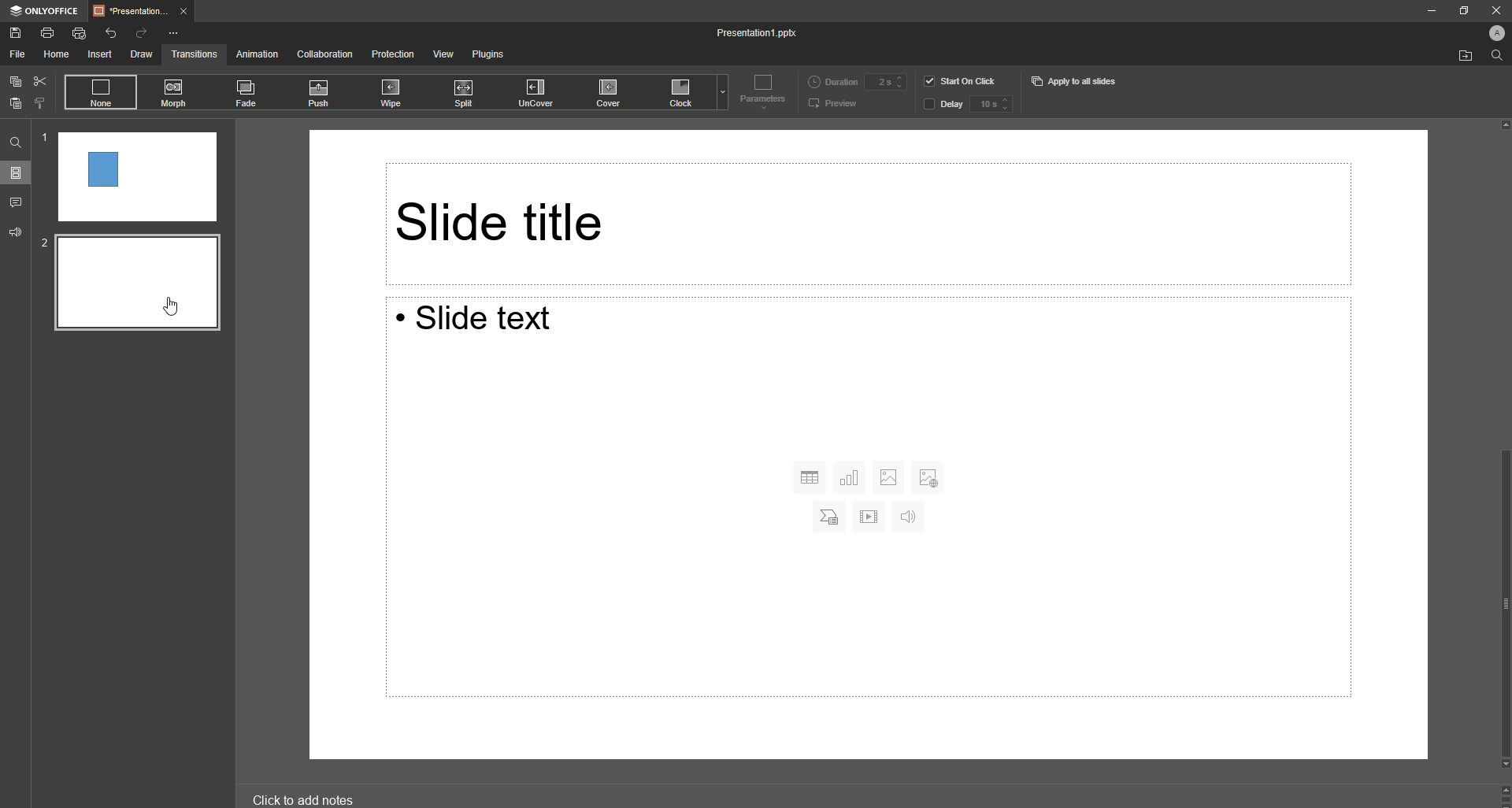 This screenshot has width=1512, height=808. I want to click on Find, so click(14, 142).